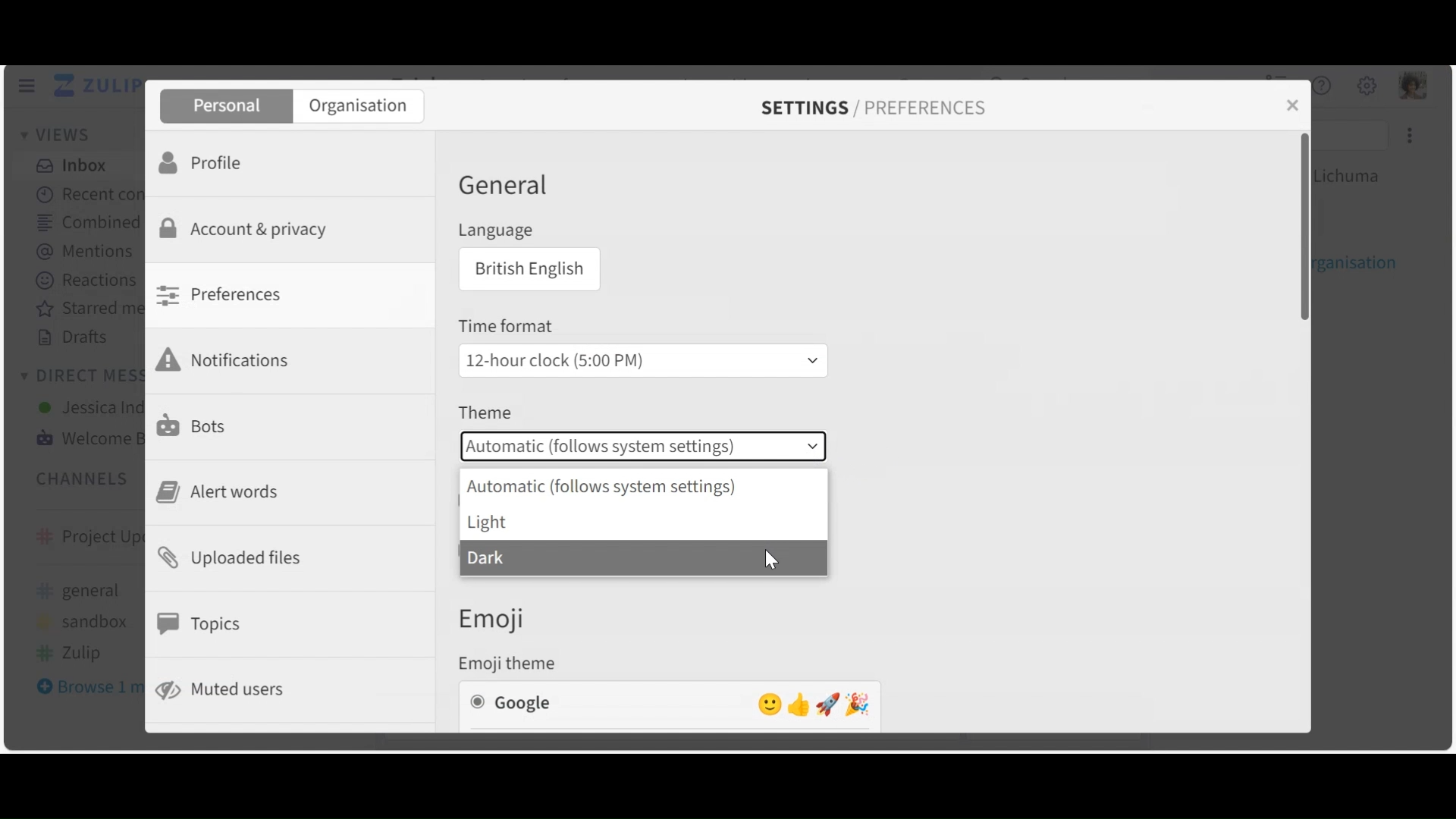  Describe the element at coordinates (670, 703) in the screenshot. I see `(un)select Google emoji theme` at that location.